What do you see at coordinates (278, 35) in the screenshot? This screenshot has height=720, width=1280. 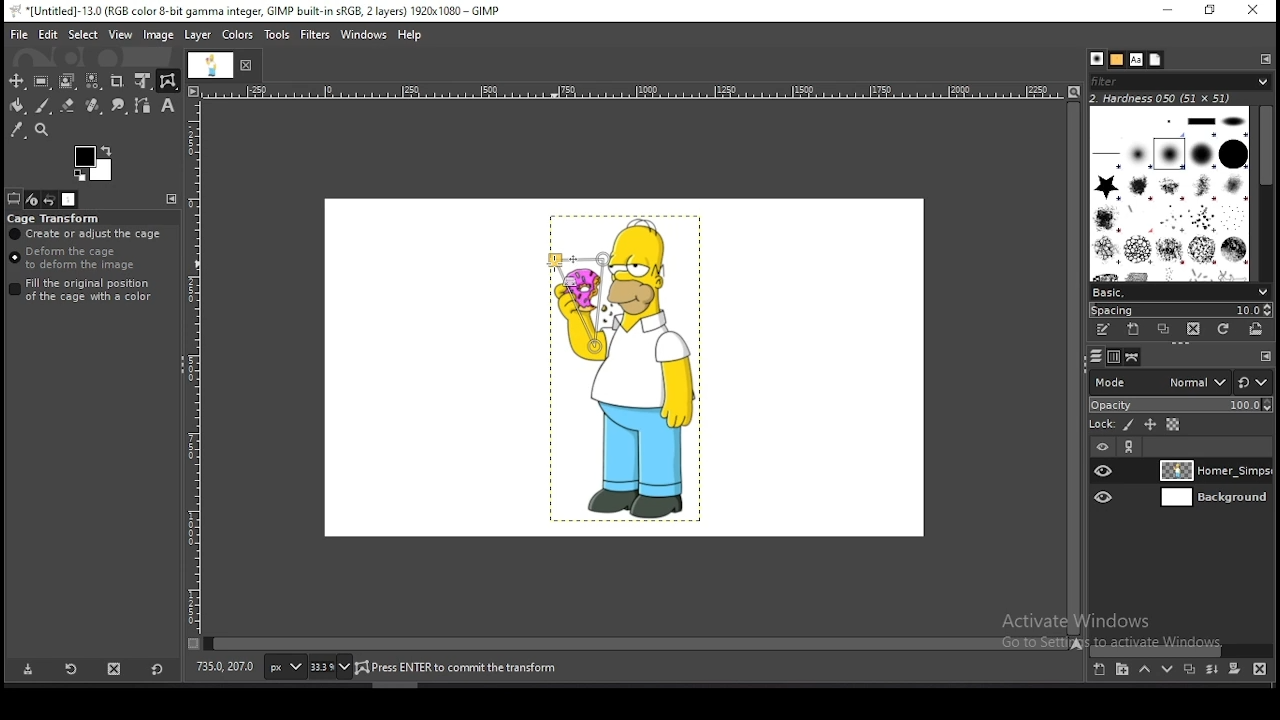 I see `tools` at bounding box center [278, 35].